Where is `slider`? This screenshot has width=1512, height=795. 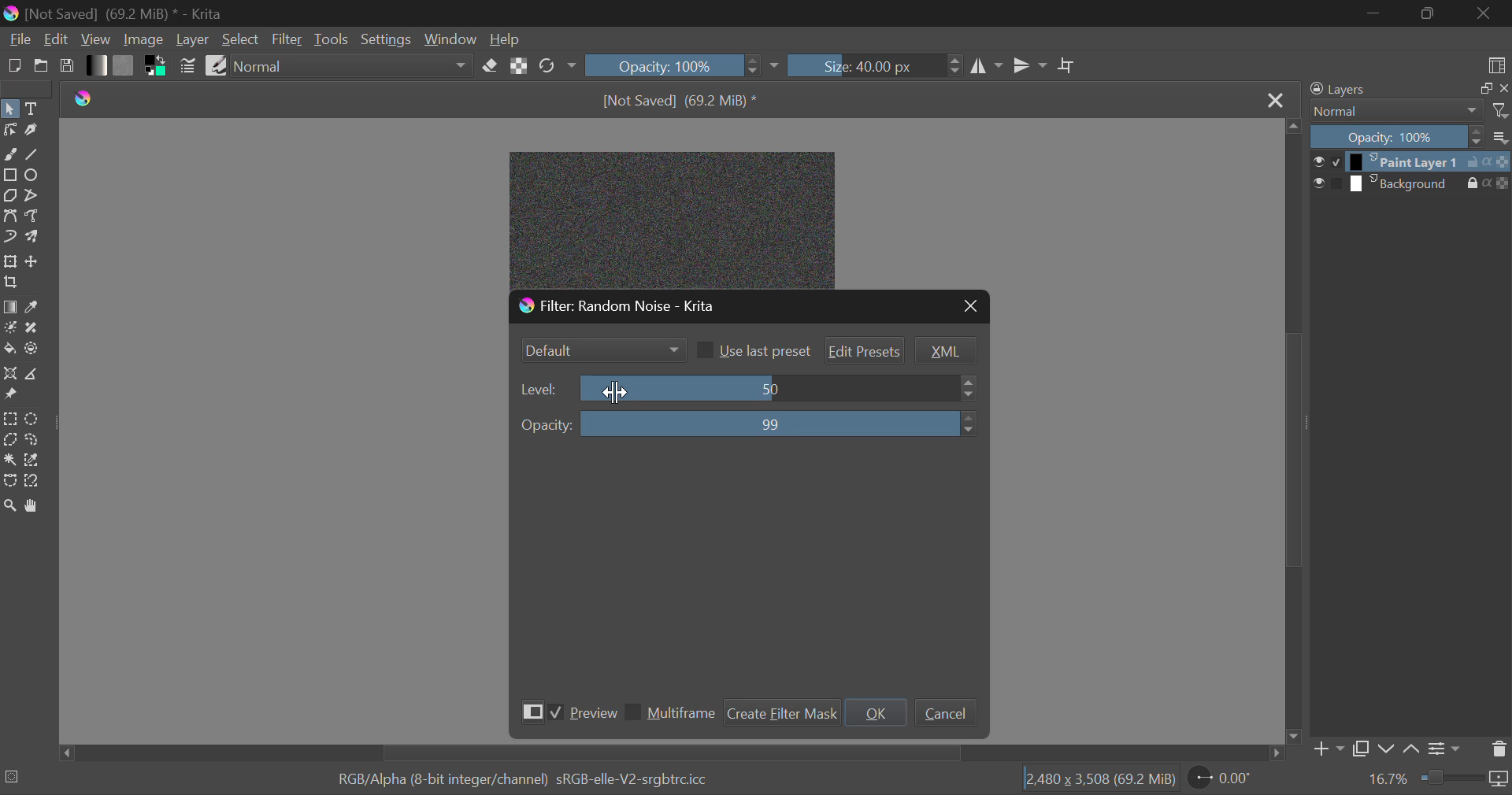
slider is located at coordinates (784, 423).